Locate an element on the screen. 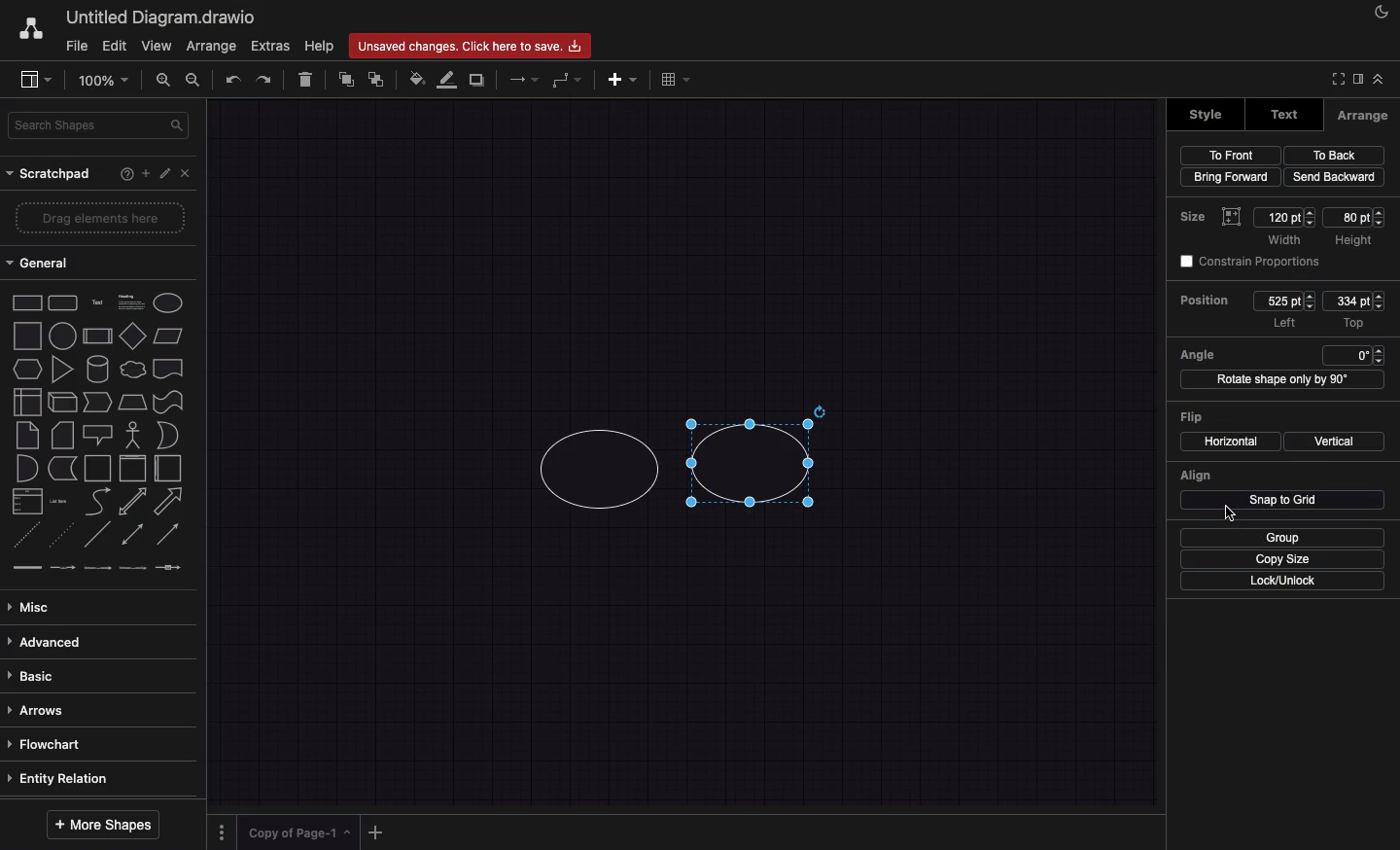 The width and height of the screenshot is (1400, 850). rectangle is located at coordinates (27, 302).